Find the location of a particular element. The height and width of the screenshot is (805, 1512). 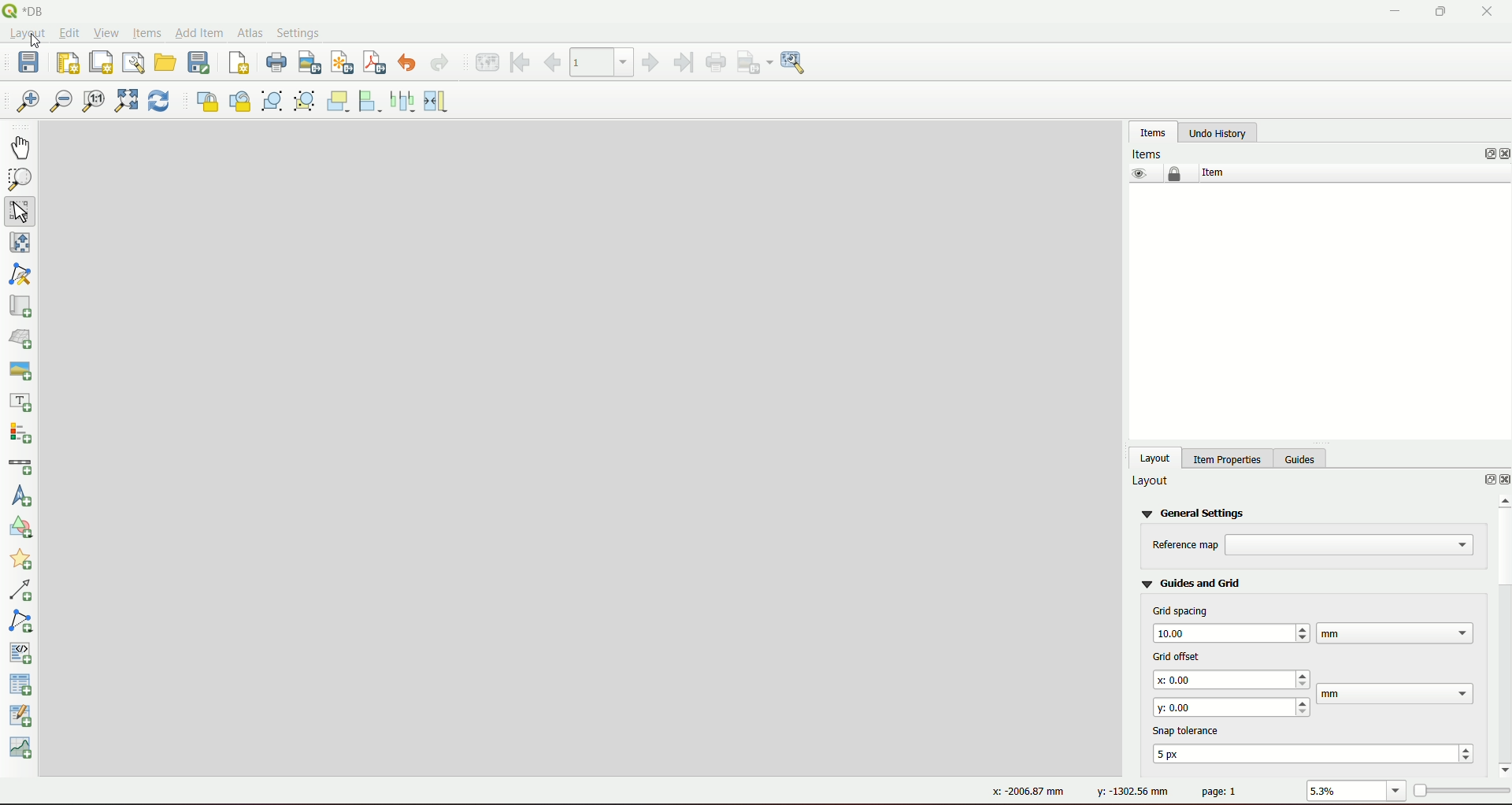

Name and logo is located at coordinates (30, 11).